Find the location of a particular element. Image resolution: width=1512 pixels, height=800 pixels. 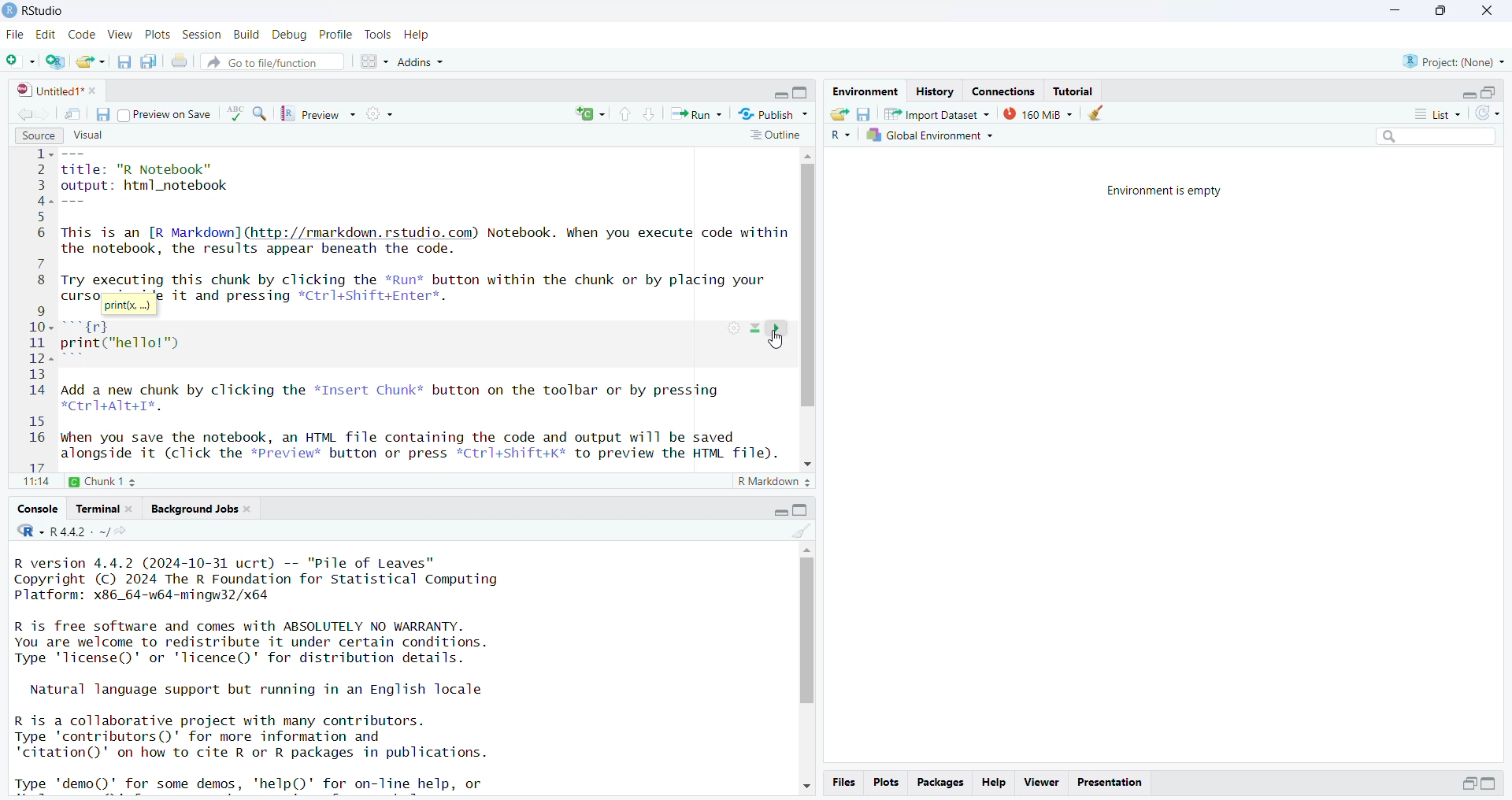

plots is located at coordinates (159, 35).